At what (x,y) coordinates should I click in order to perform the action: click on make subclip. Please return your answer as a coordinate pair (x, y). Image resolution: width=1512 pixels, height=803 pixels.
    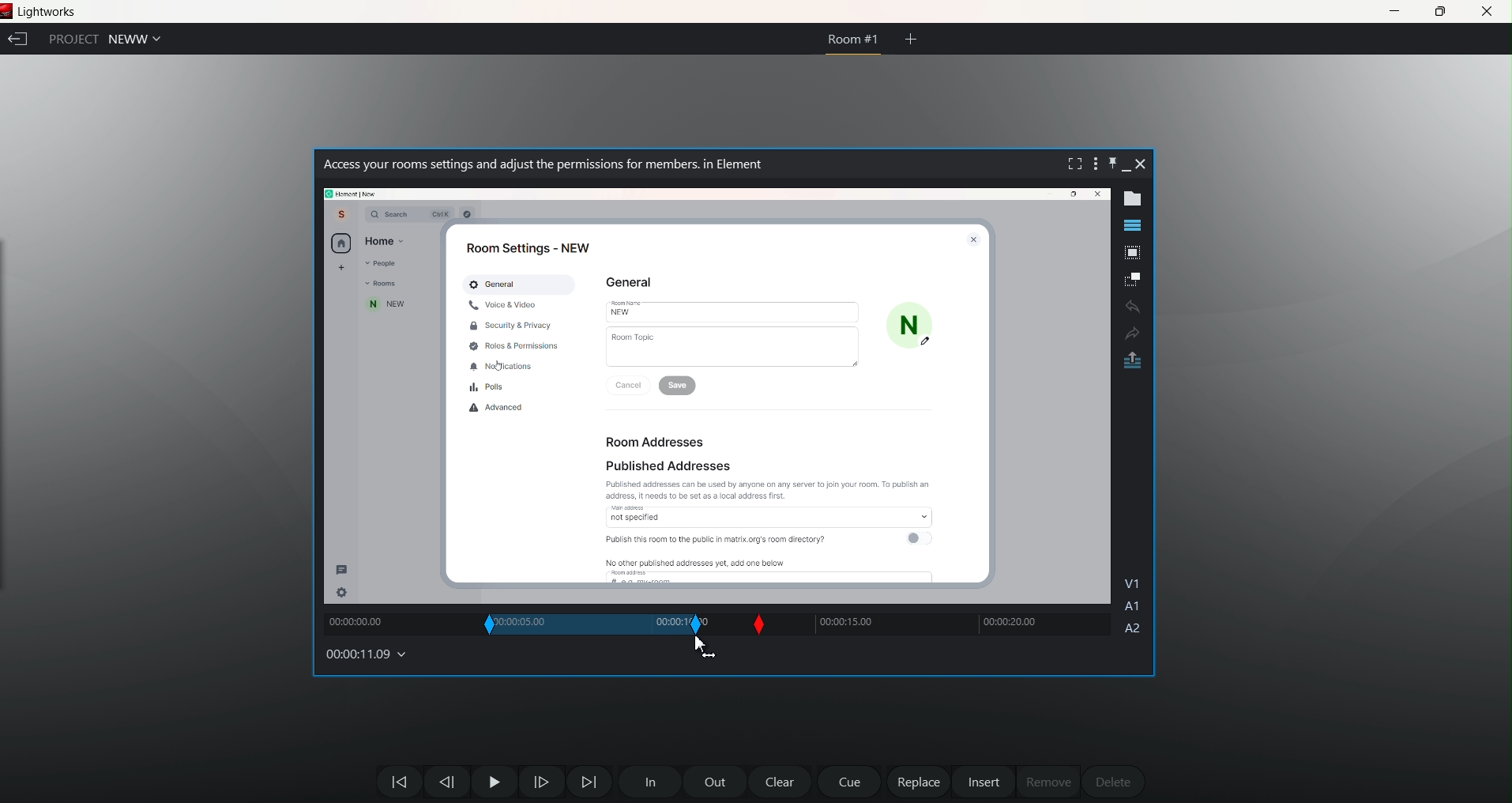
    Looking at the image, I should click on (1134, 278).